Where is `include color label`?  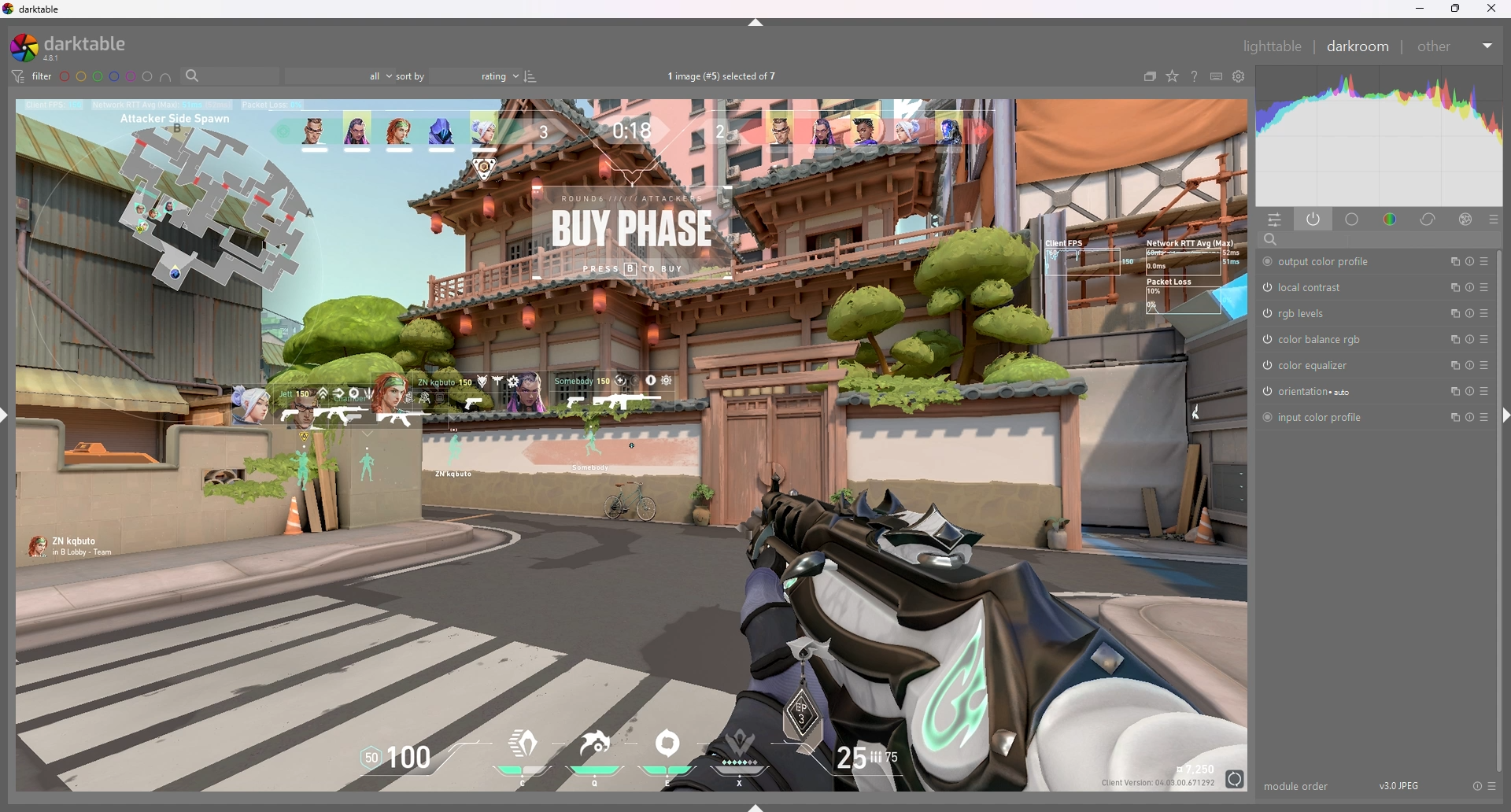
include color label is located at coordinates (166, 77).